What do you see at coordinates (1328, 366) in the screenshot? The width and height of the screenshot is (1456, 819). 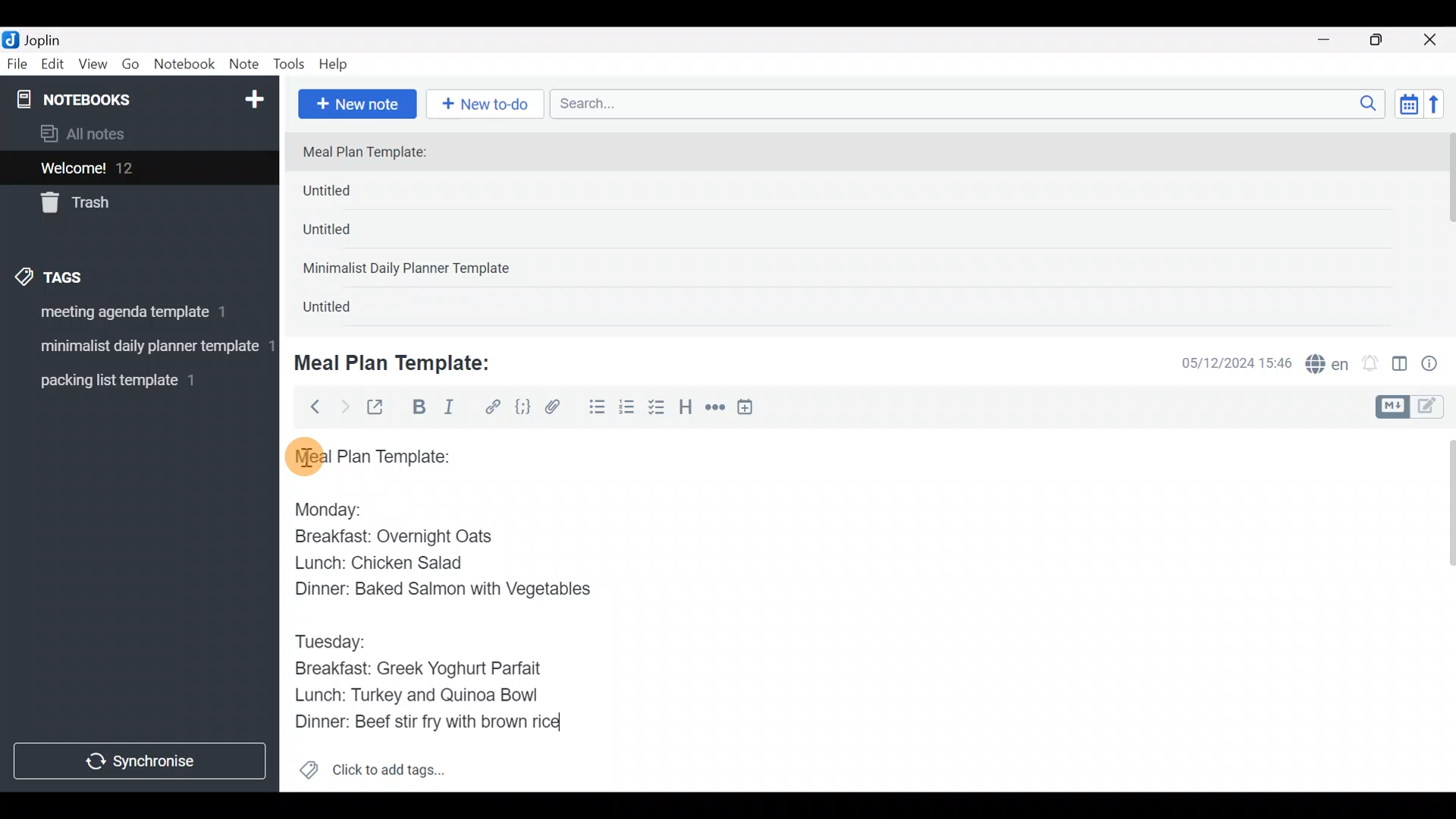 I see `Spelling` at bounding box center [1328, 366].